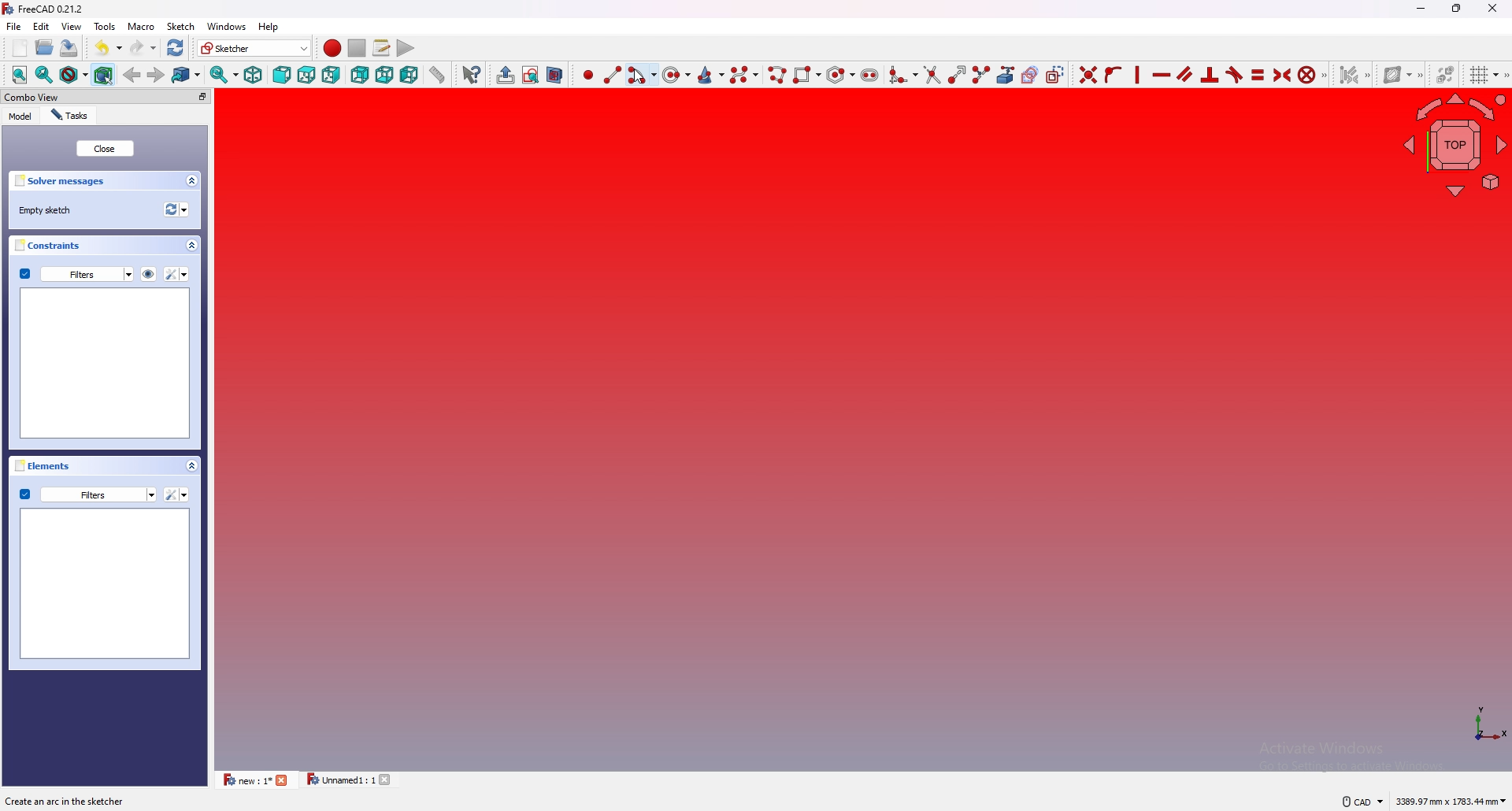 The image size is (1512, 811). Describe the element at coordinates (870, 75) in the screenshot. I see `create slot` at that location.